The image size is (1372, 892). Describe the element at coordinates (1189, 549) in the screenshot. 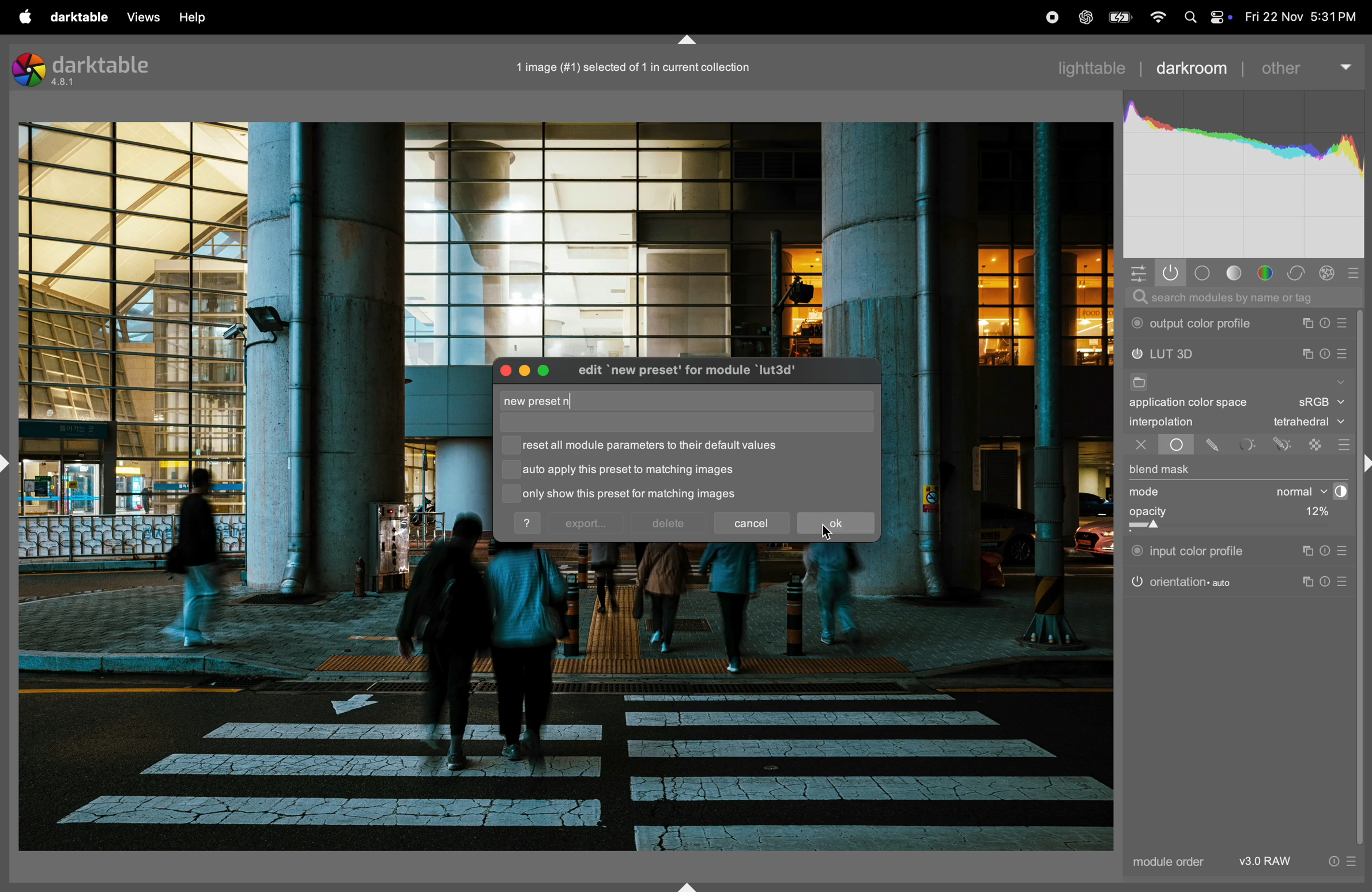

I see `input color profile` at that location.